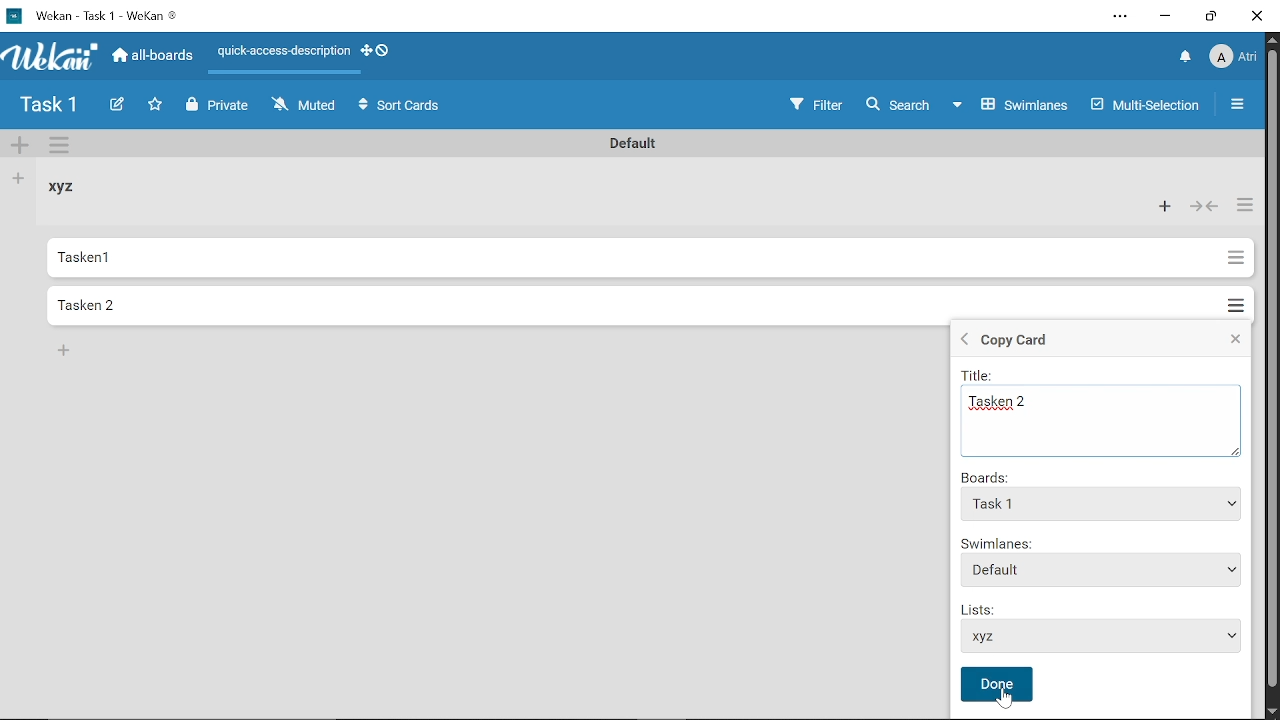 The width and height of the screenshot is (1280, 720). Describe the element at coordinates (153, 58) in the screenshot. I see `All Boards` at that location.